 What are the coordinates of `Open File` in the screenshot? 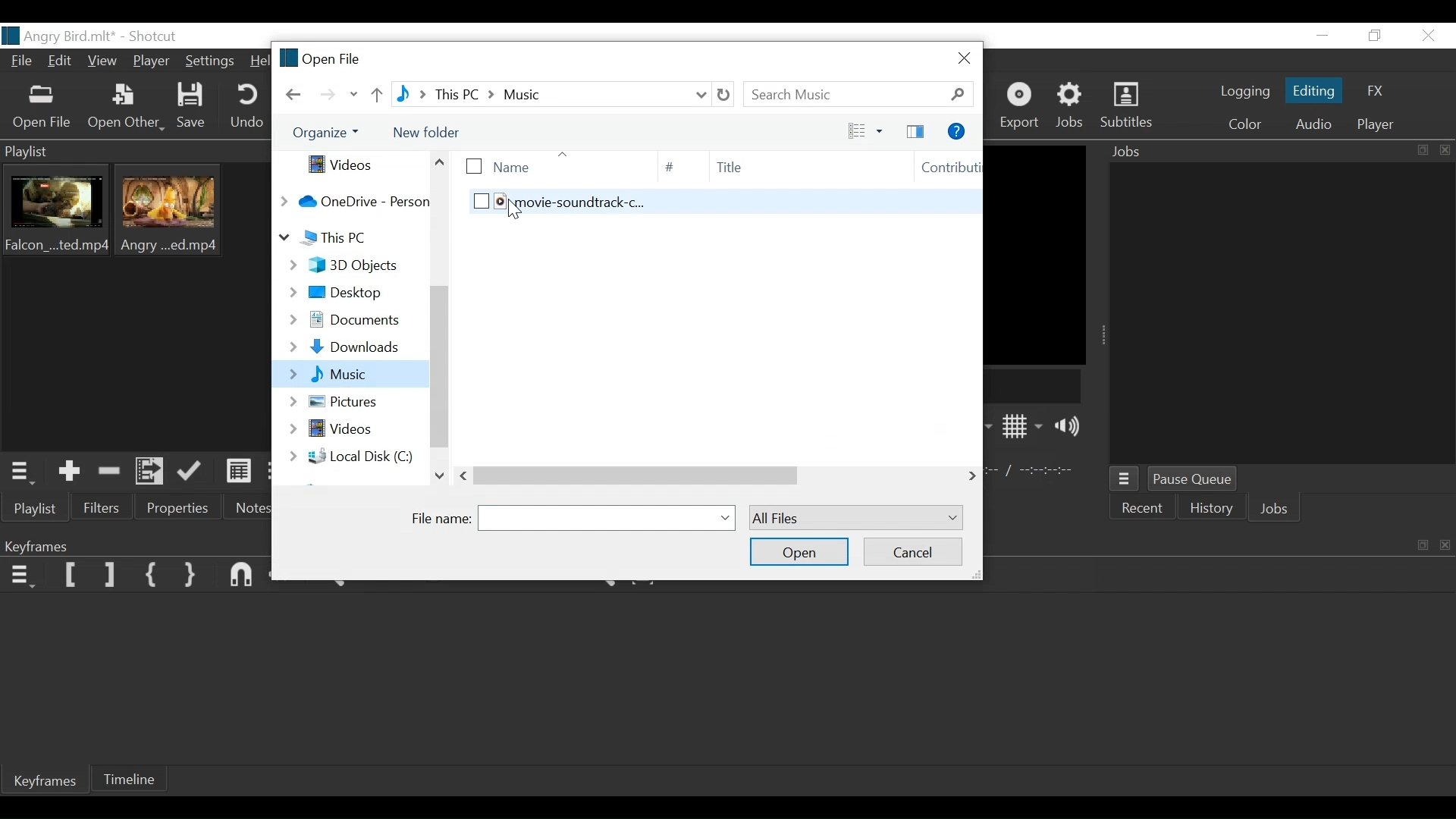 It's located at (318, 58).